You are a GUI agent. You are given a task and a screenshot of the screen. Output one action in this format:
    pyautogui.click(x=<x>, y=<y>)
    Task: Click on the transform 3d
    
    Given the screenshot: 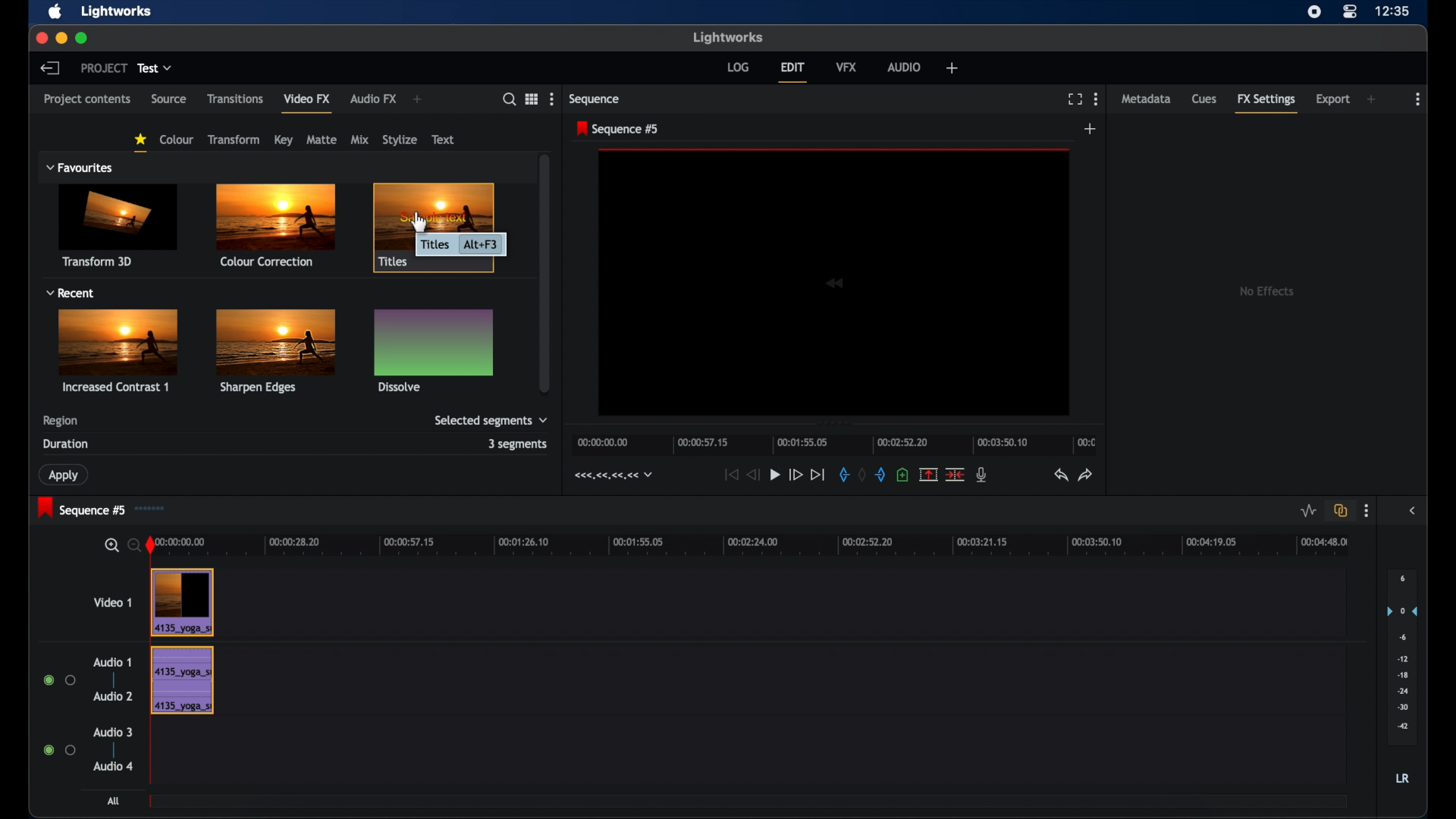 What is the action you would take?
    pyautogui.click(x=119, y=225)
    